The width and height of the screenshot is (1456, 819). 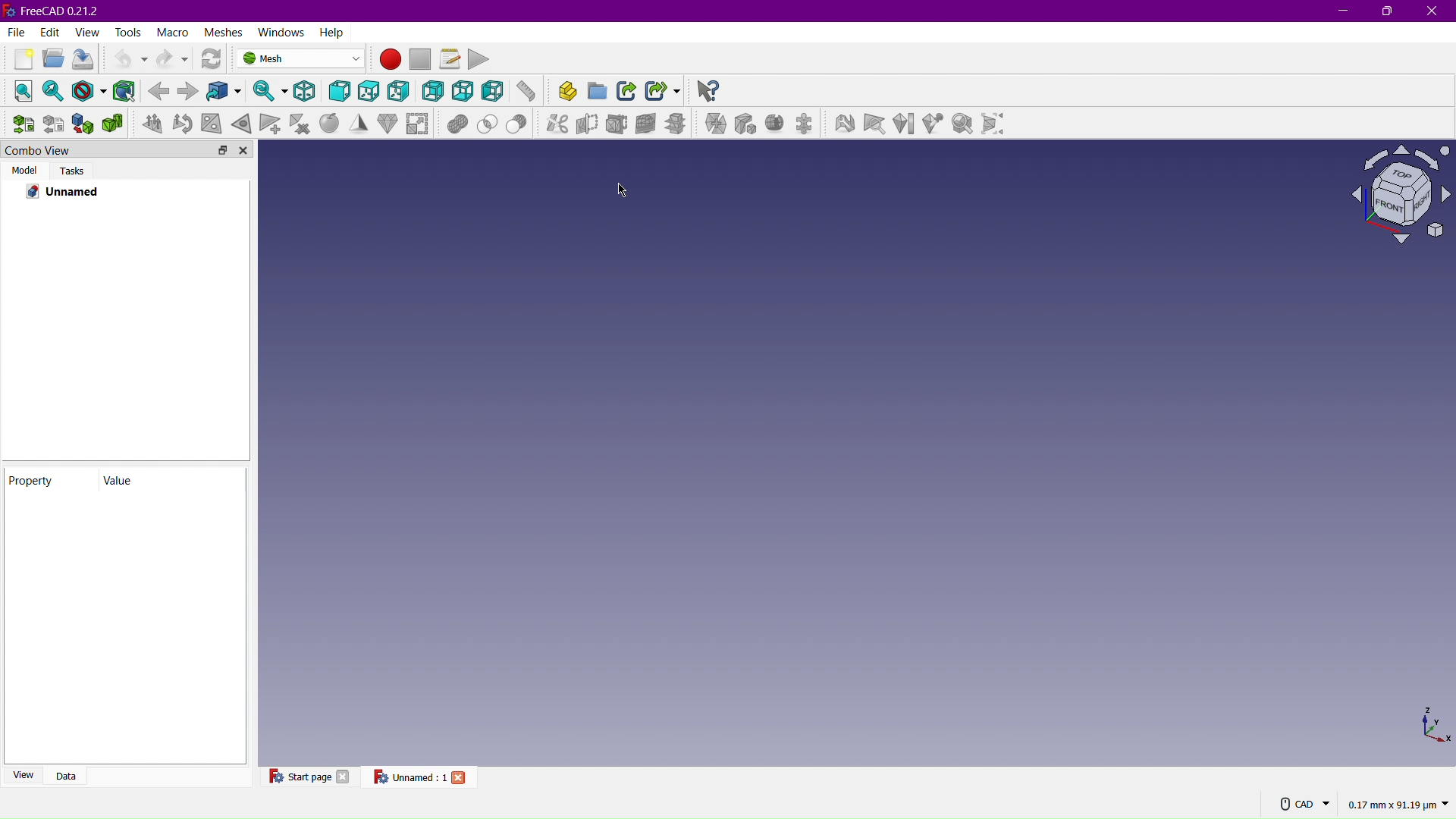 I want to click on Backwards, so click(x=158, y=90).